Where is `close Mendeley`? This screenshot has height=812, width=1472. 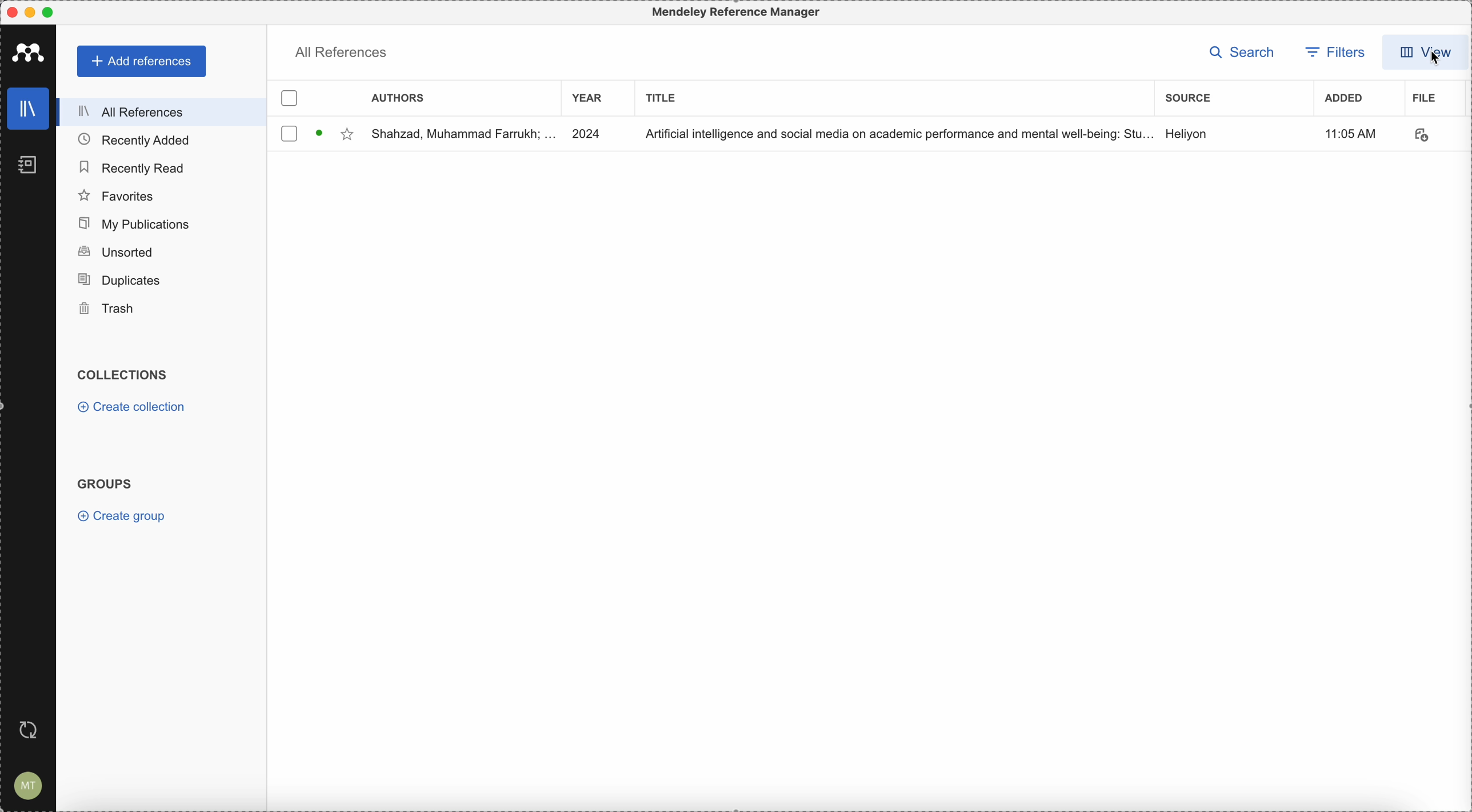 close Mendeley is located at coordinates (14, 13).